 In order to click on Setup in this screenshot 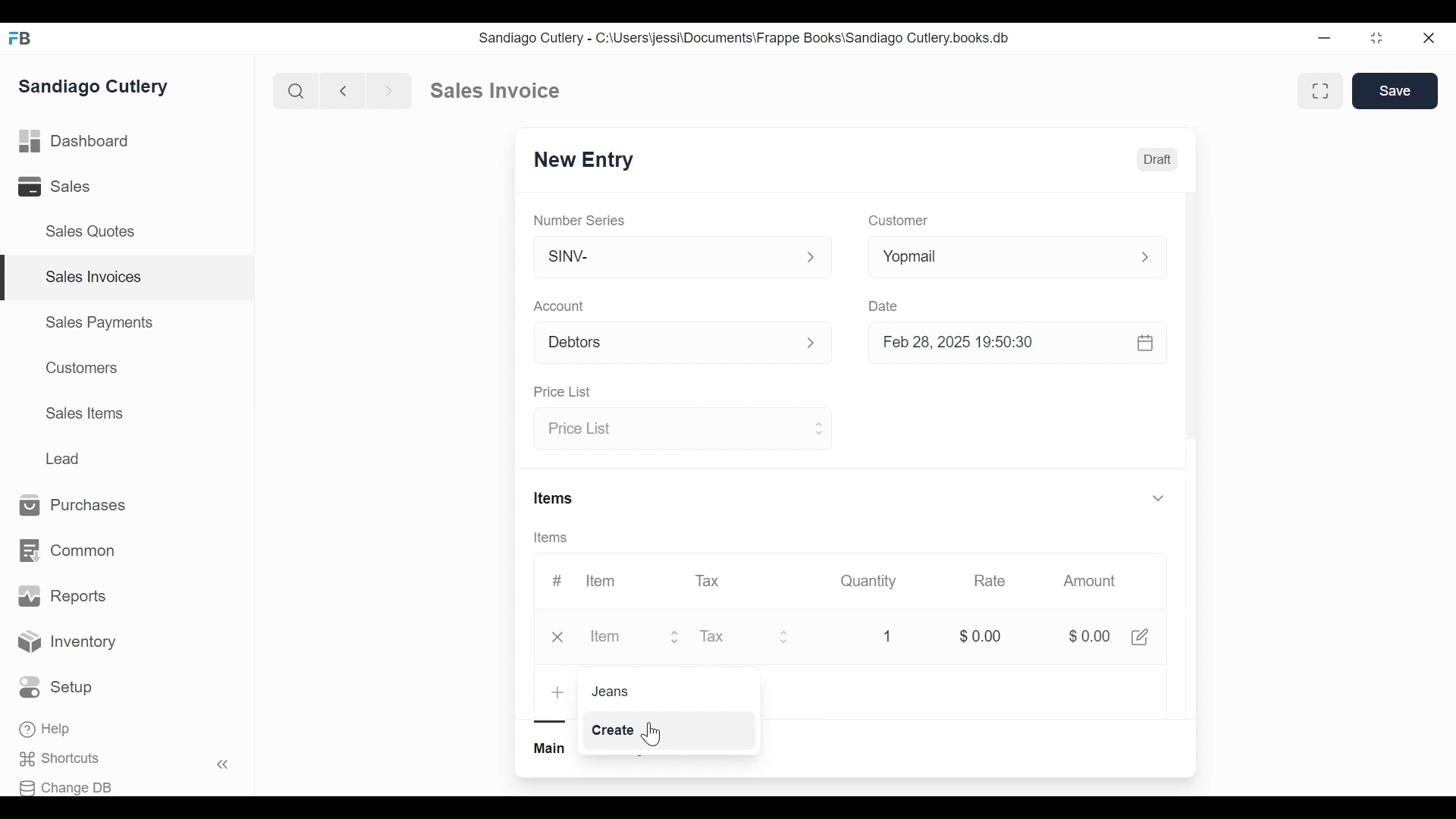, I will do `click(56, 687)`.